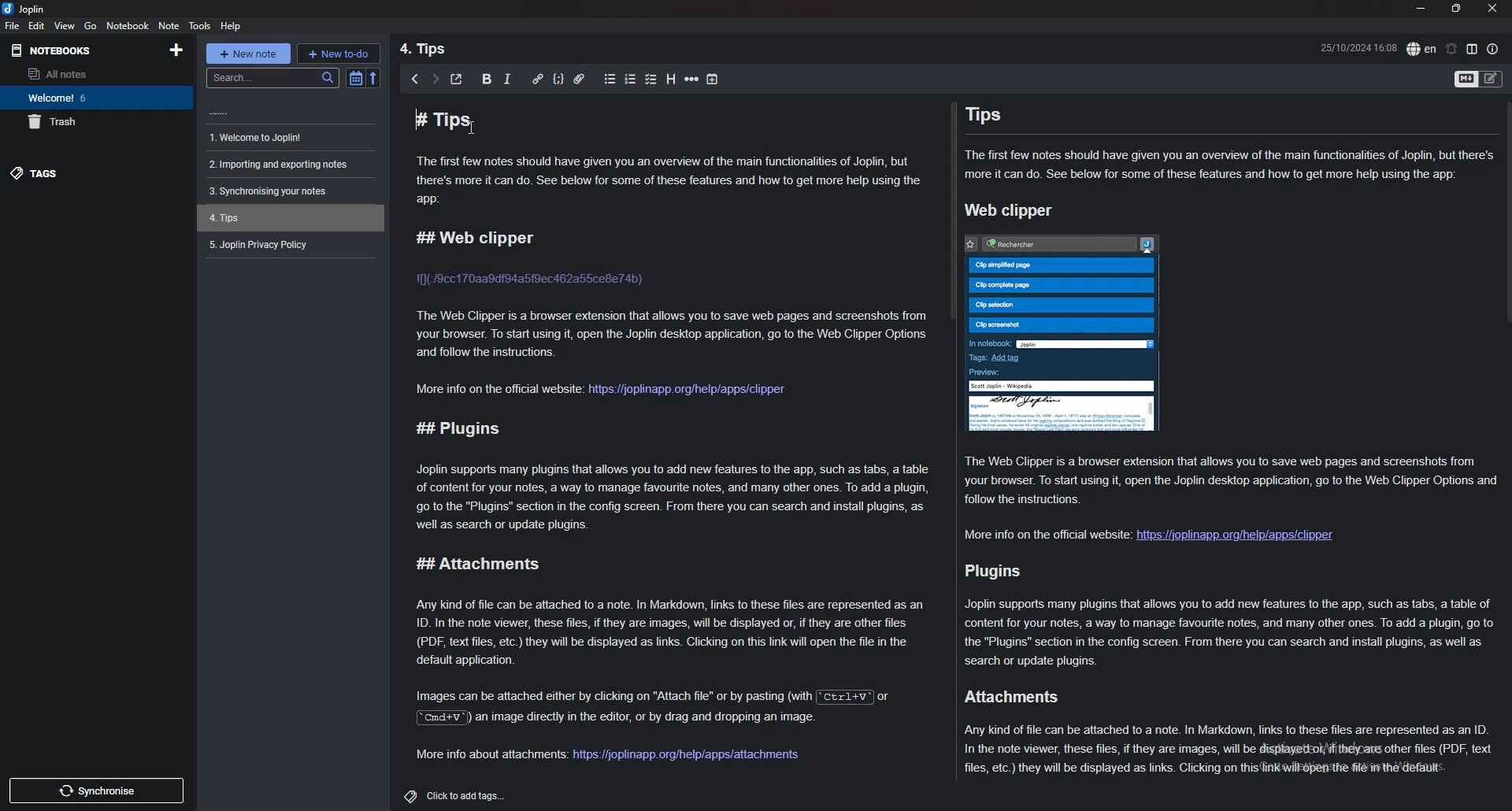 The width and height of the screenshot is (1512, 811). I want to click on open external link, so click(461, 78).